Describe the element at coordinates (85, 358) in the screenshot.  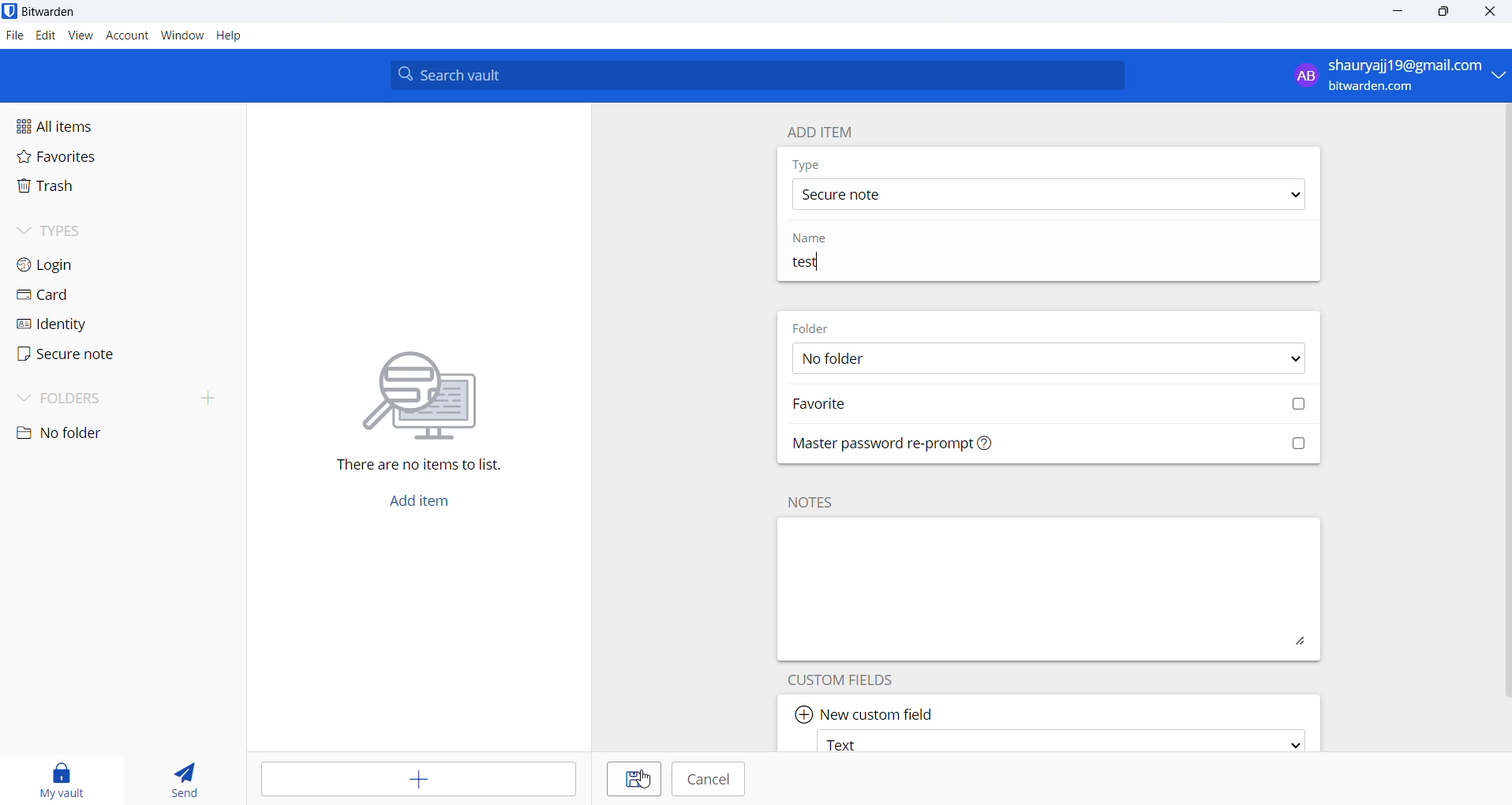
I see `secure note` at that location.